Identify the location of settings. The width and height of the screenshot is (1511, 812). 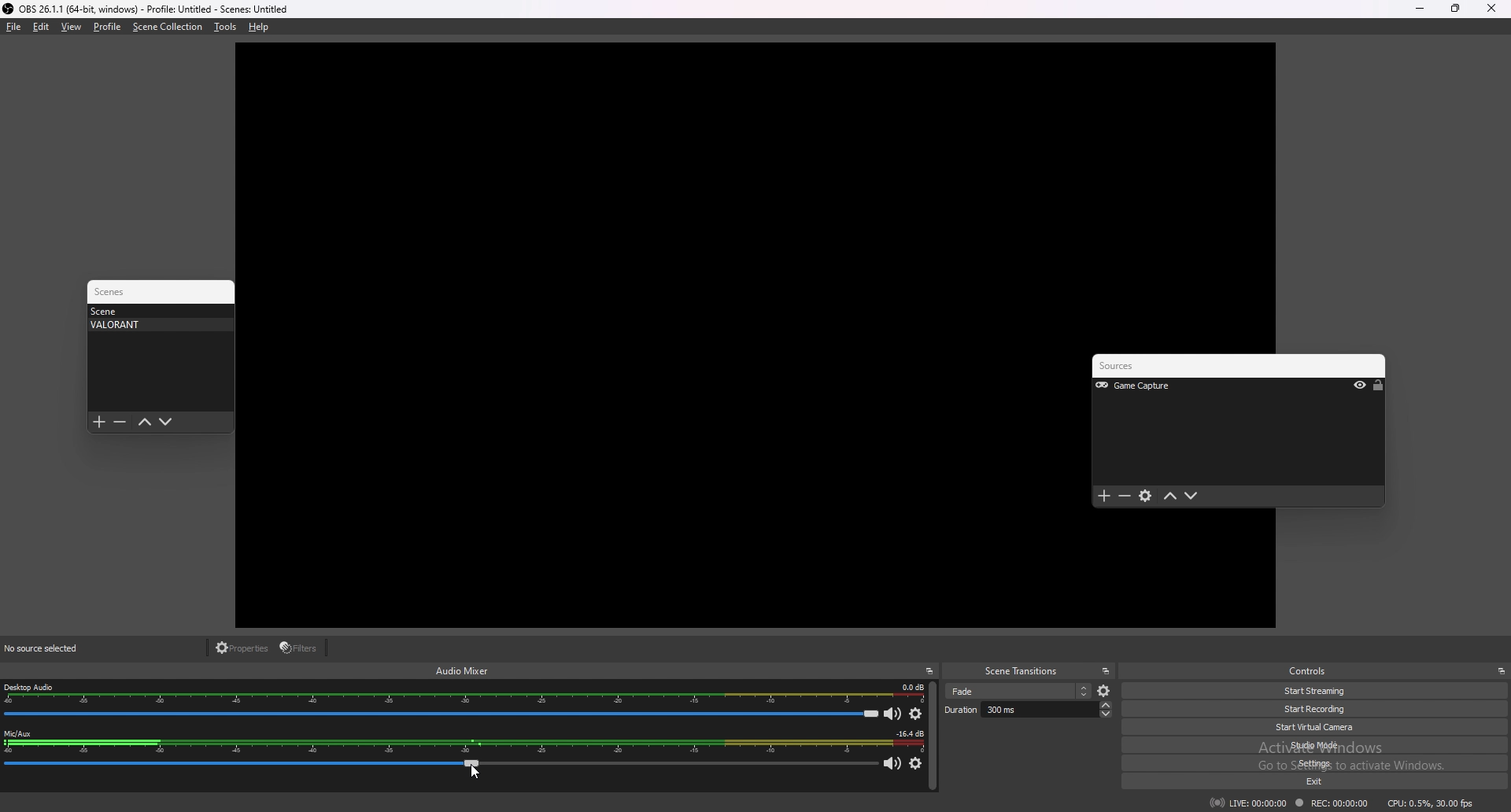
(1147, 497).